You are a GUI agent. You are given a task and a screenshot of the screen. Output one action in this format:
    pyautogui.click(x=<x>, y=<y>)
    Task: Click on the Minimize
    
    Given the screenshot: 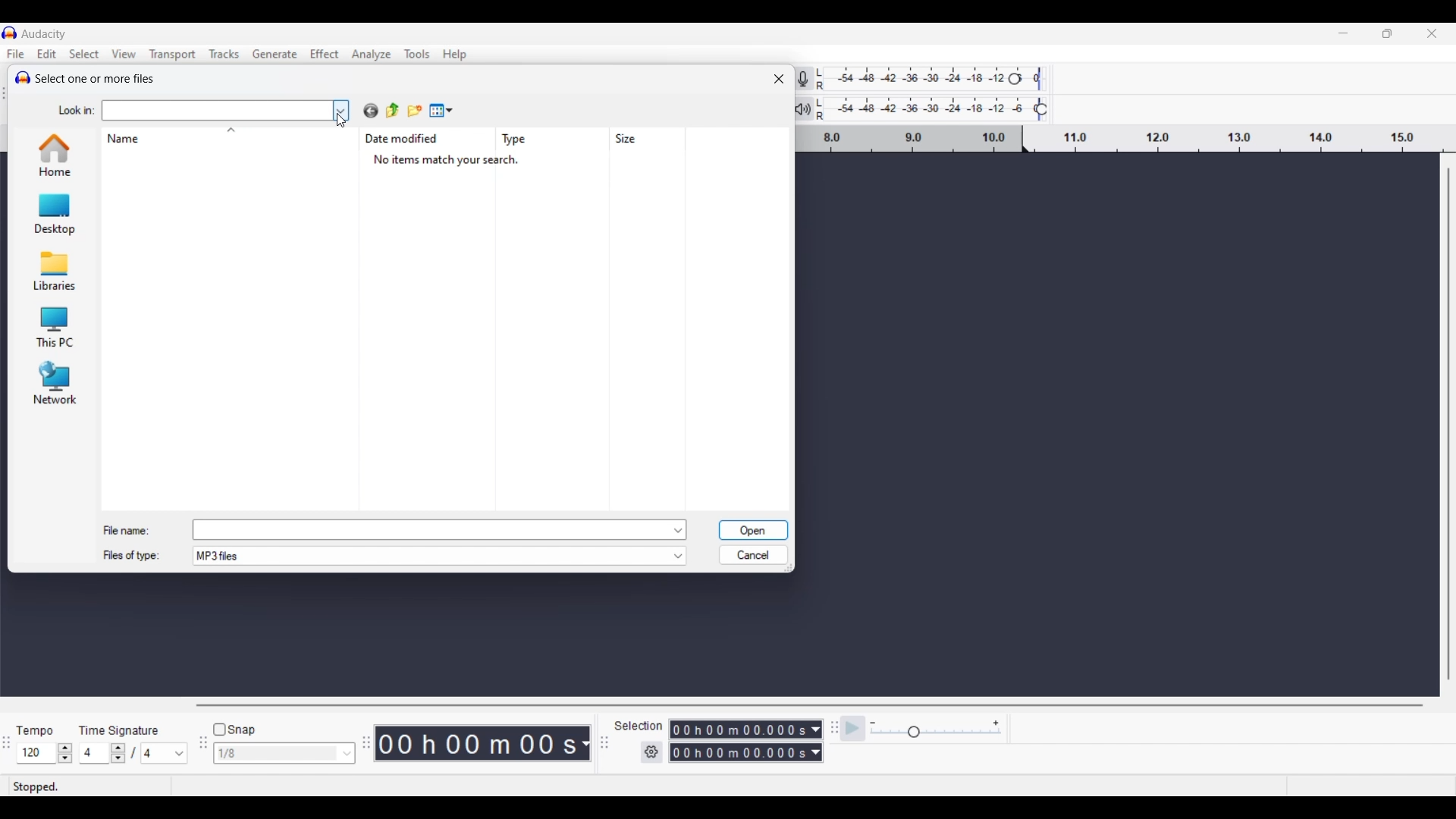 What is the action you would take?
    pyautogui.click(x=1343, y=33)
    